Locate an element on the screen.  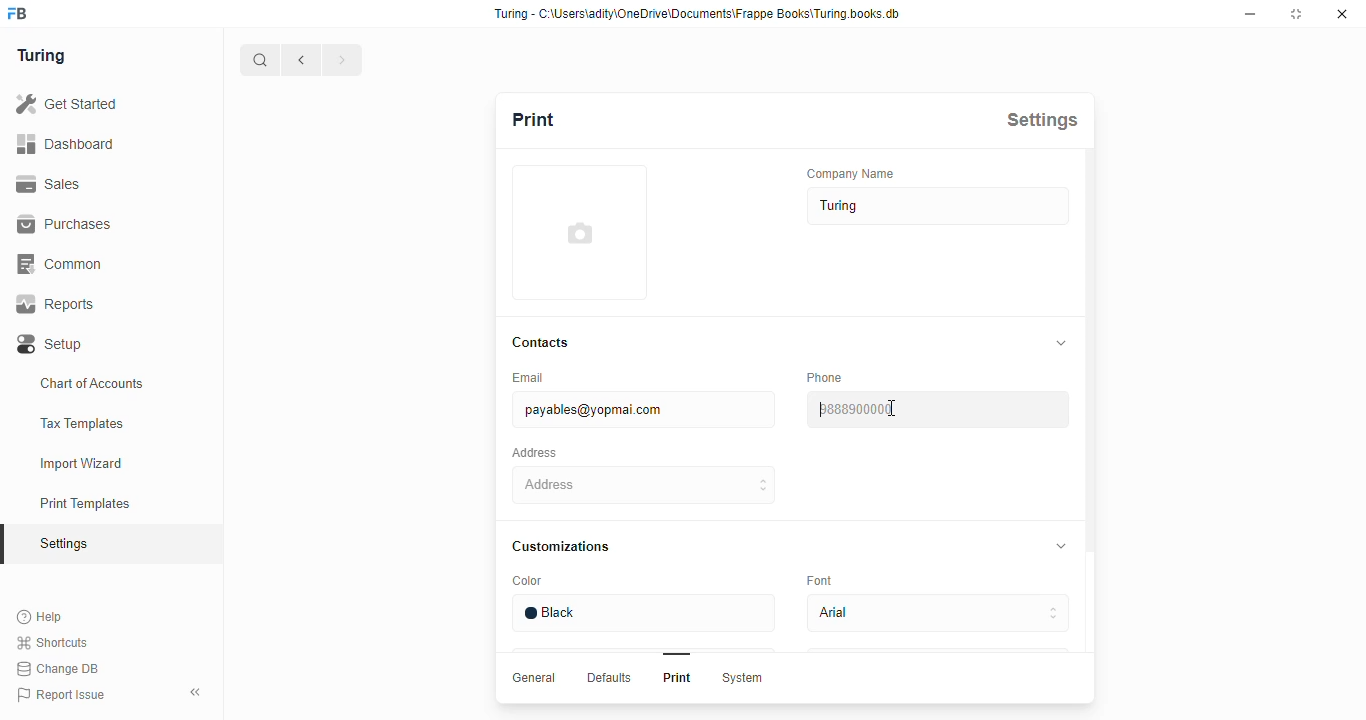
Print is located at coordinates (676, 678).